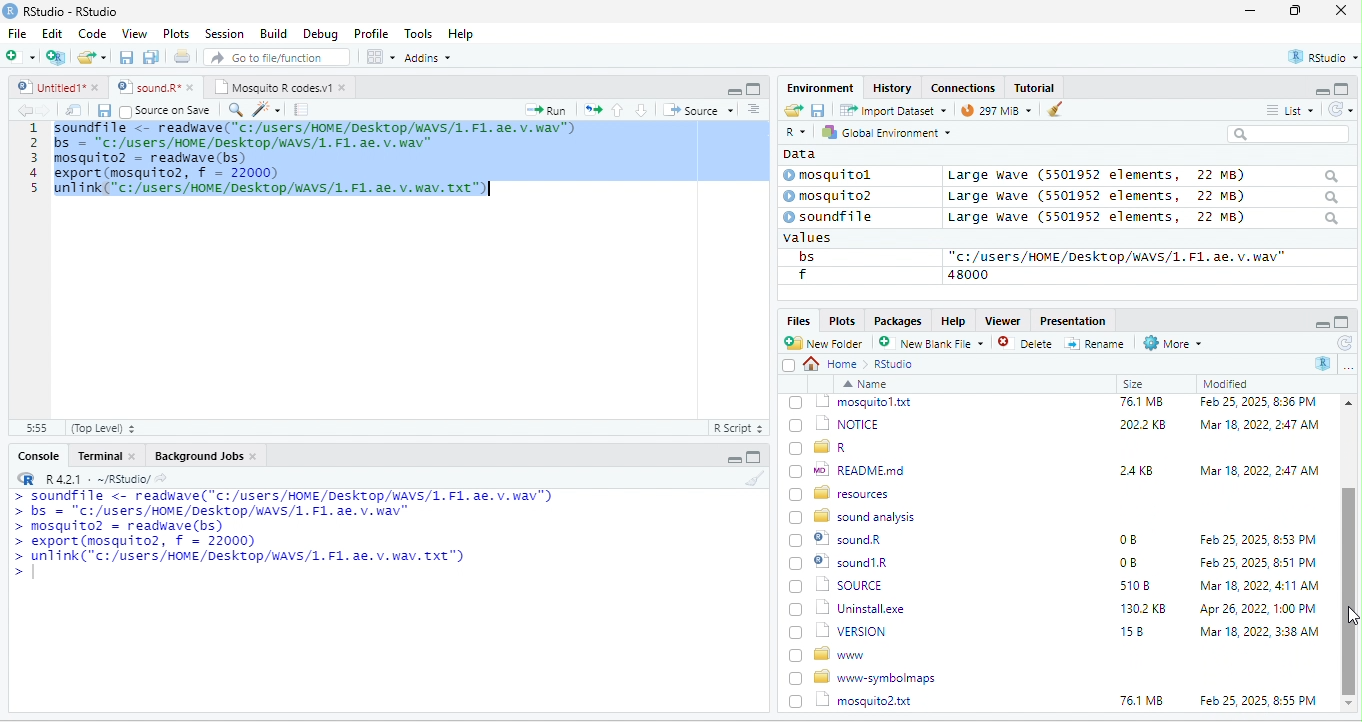 The image size is (1362, 722). I want to click on © mosquitol, so click(842, 175).